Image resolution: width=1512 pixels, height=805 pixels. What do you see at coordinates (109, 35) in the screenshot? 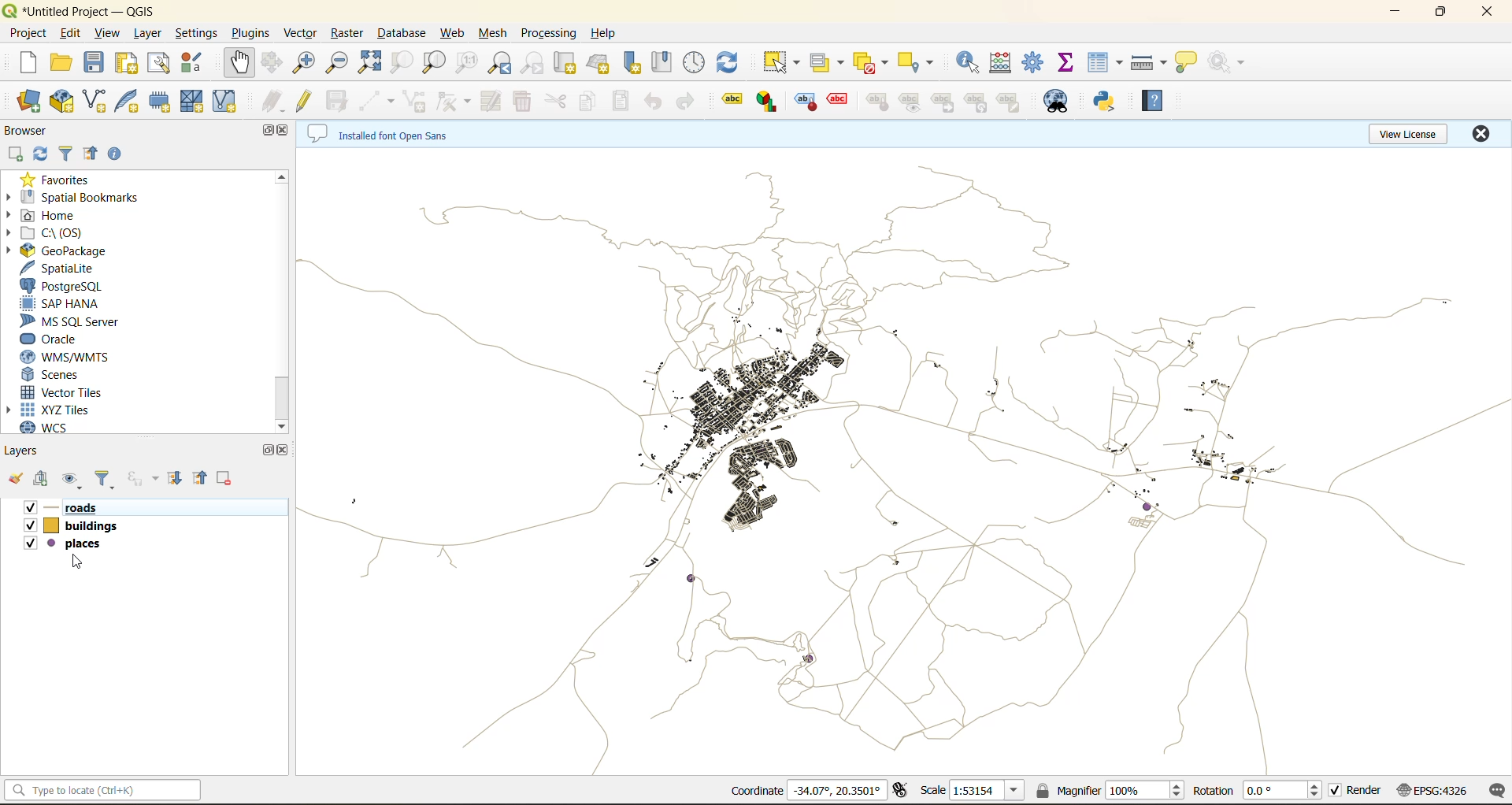
I see `view` at bounding box center [109, 35].